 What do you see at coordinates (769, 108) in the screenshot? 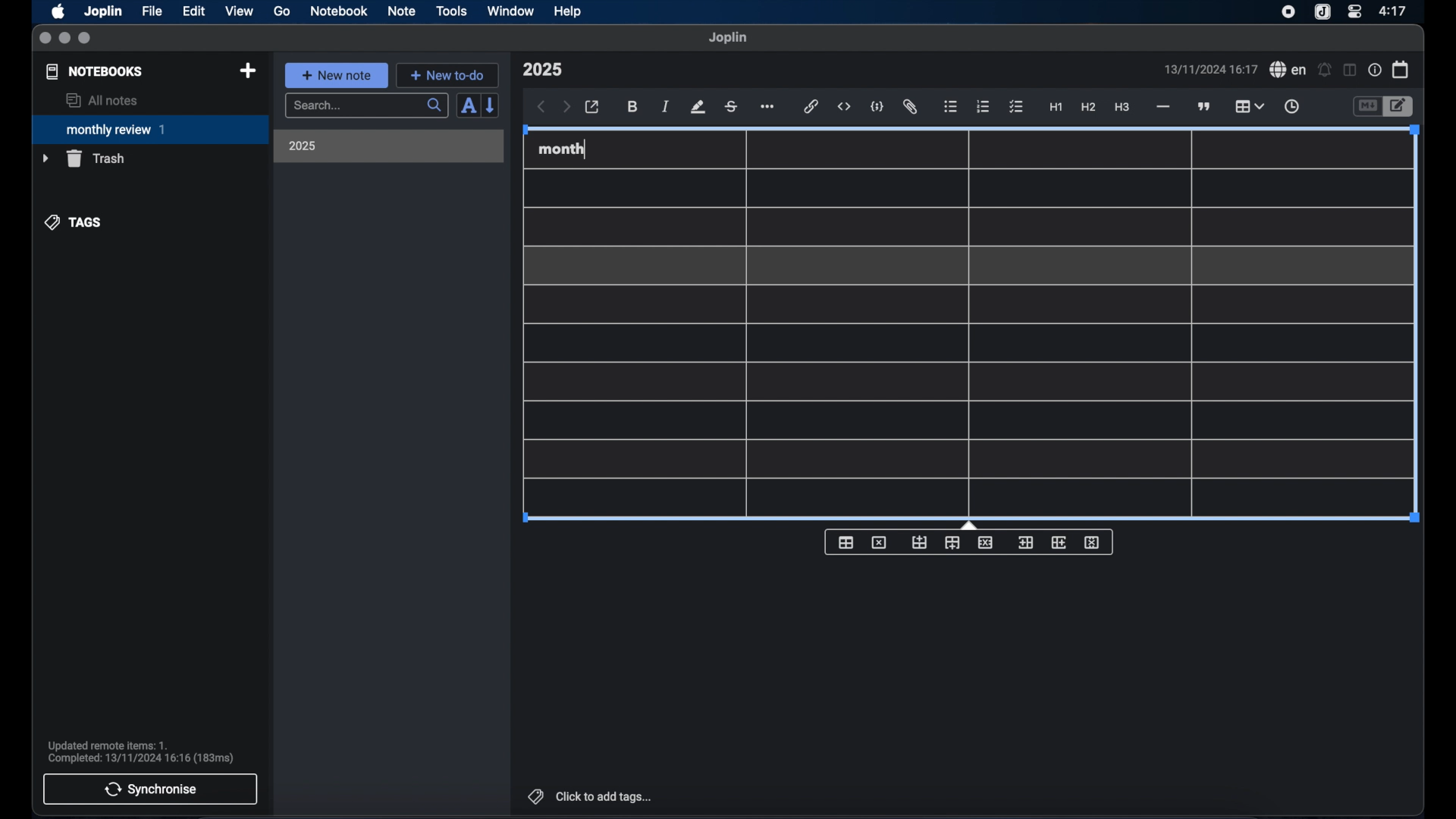
I see `more options` at bounding box center [769, 108].